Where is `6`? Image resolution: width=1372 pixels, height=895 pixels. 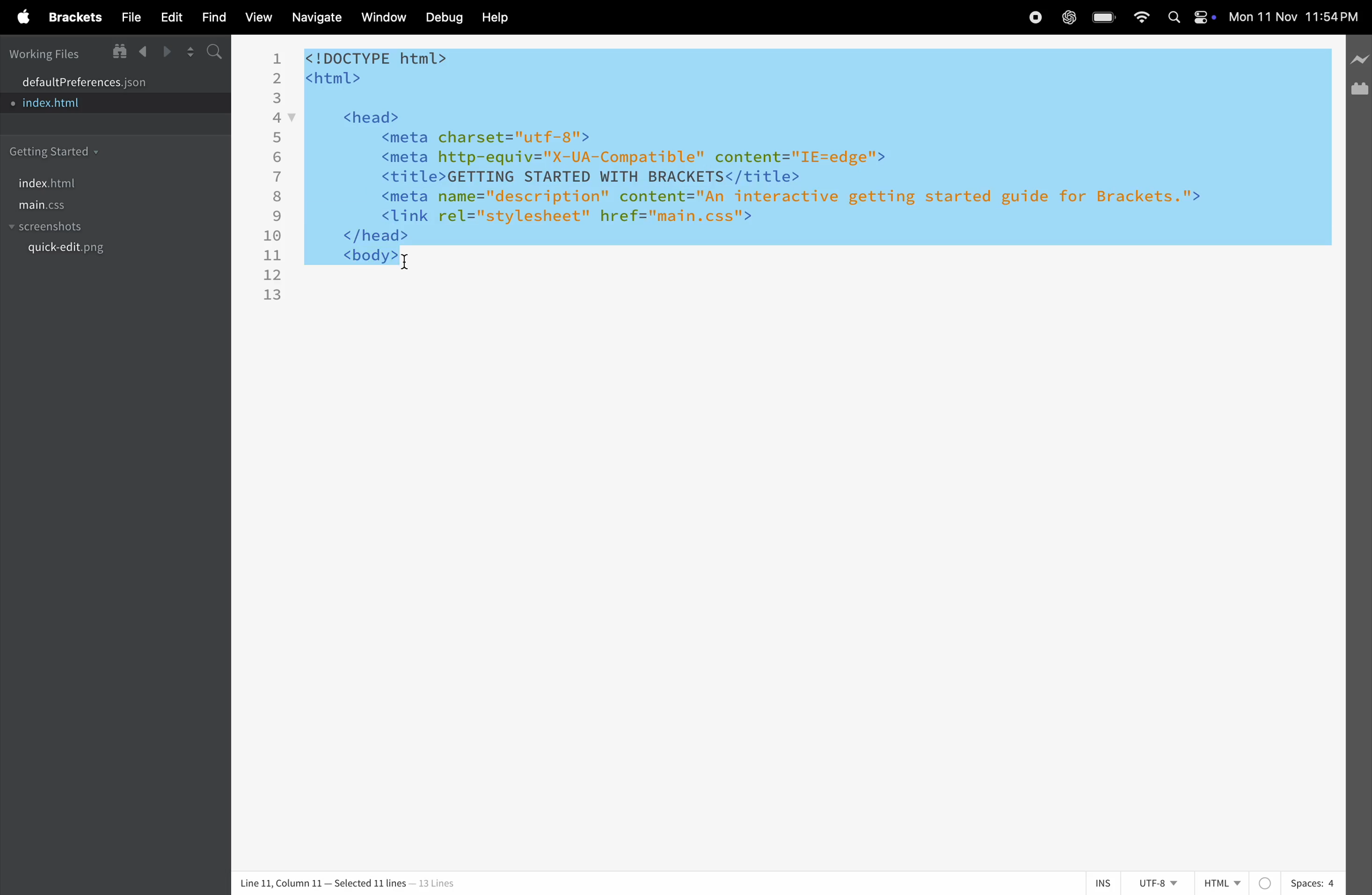
6 is located at coordinates (278, 157).